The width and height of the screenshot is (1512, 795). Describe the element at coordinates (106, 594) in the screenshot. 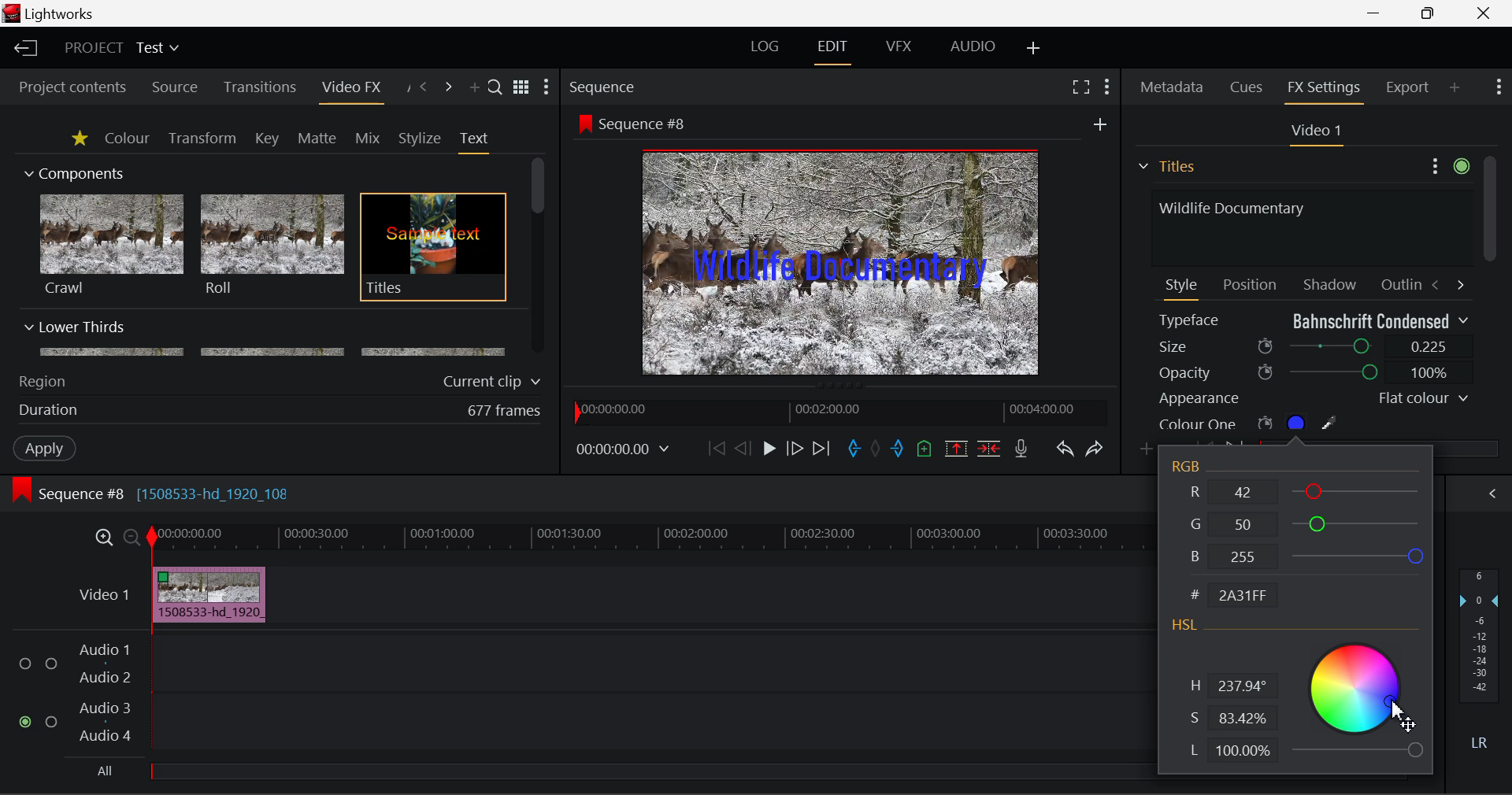

I see `Video 1` at that location.